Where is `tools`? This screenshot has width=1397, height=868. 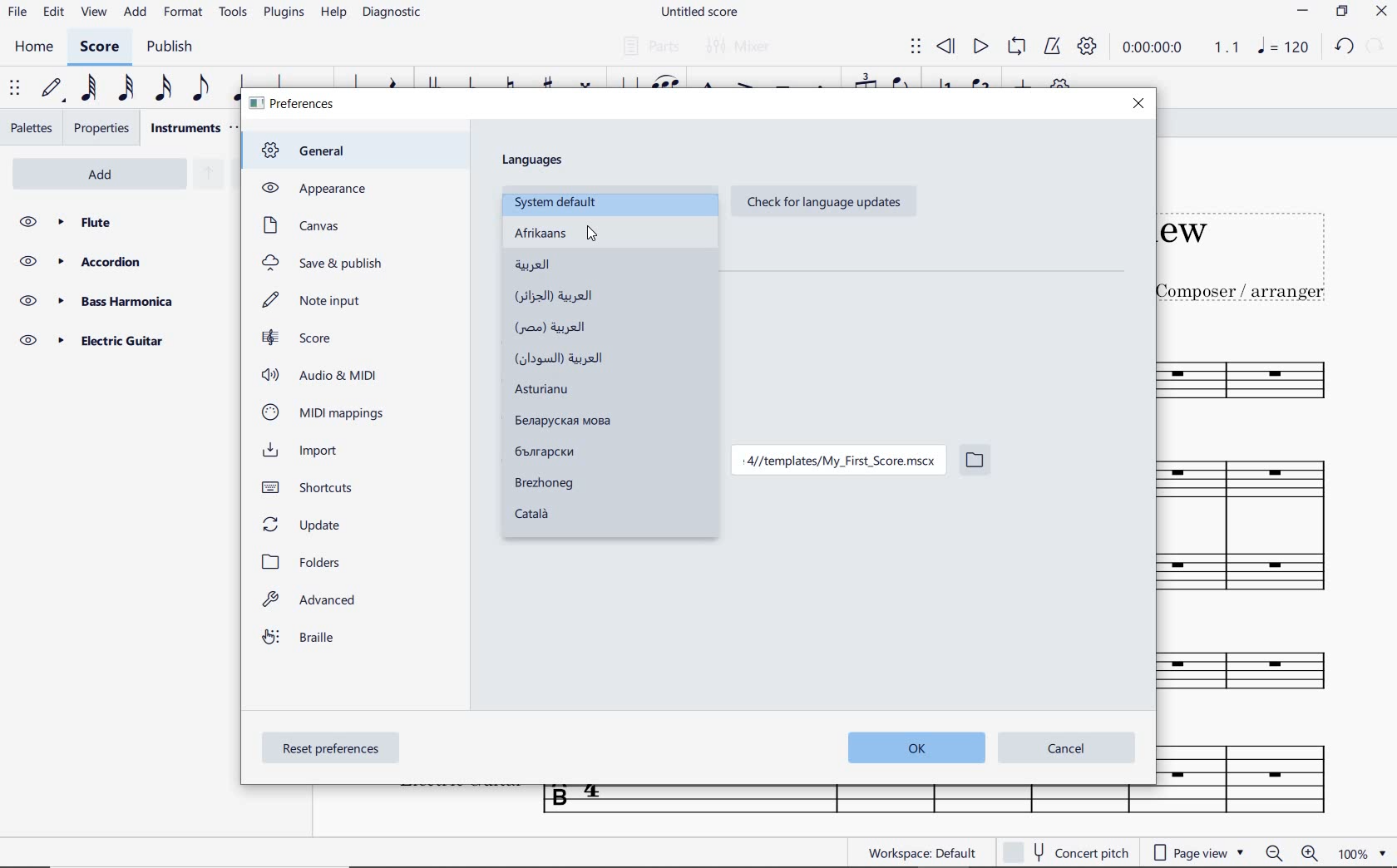 tools is located at coordinates (236, 16).